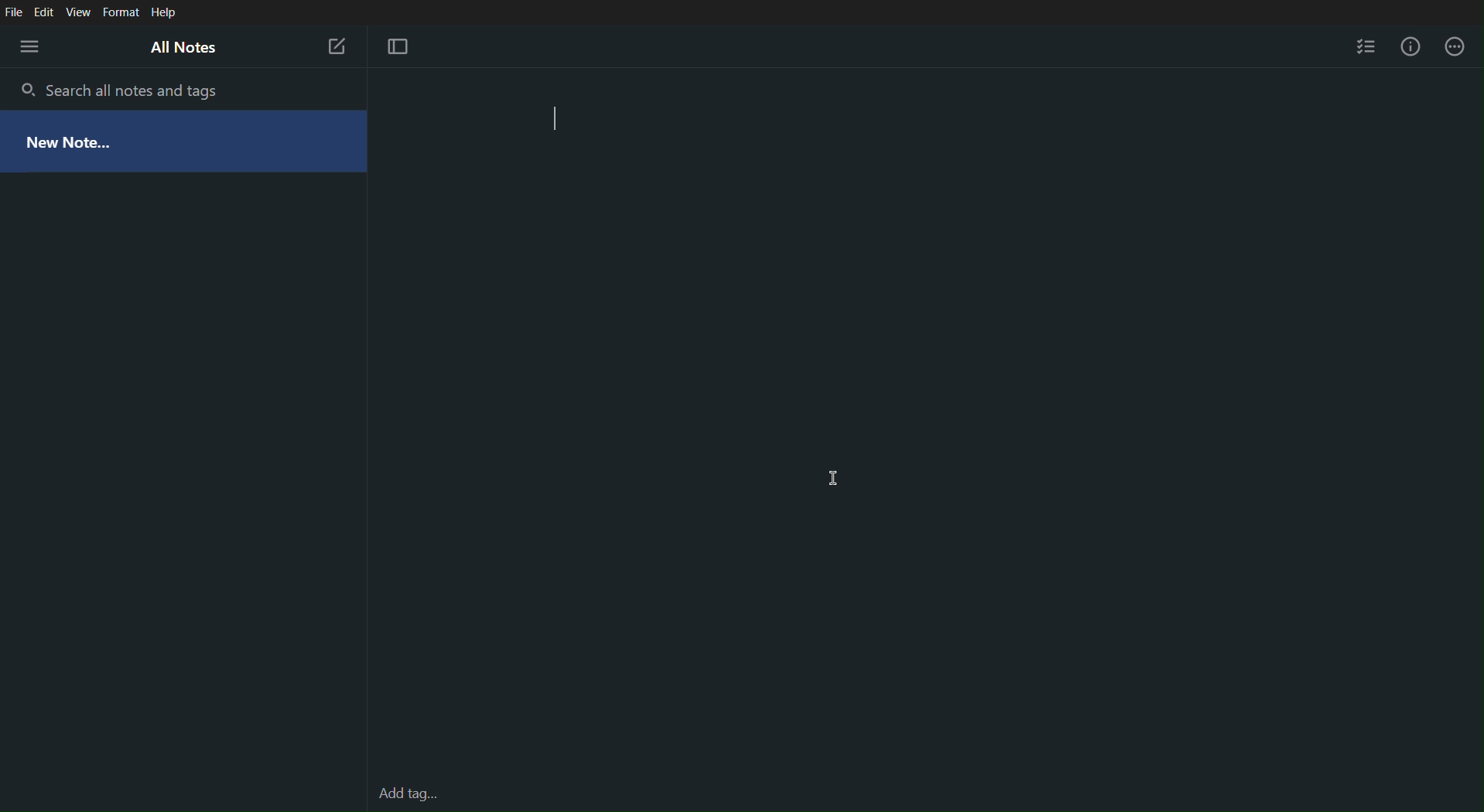  What do you see at coordinates (1454, 45) in the screenshot?
I see `More` at bounding box center [1454, 45].